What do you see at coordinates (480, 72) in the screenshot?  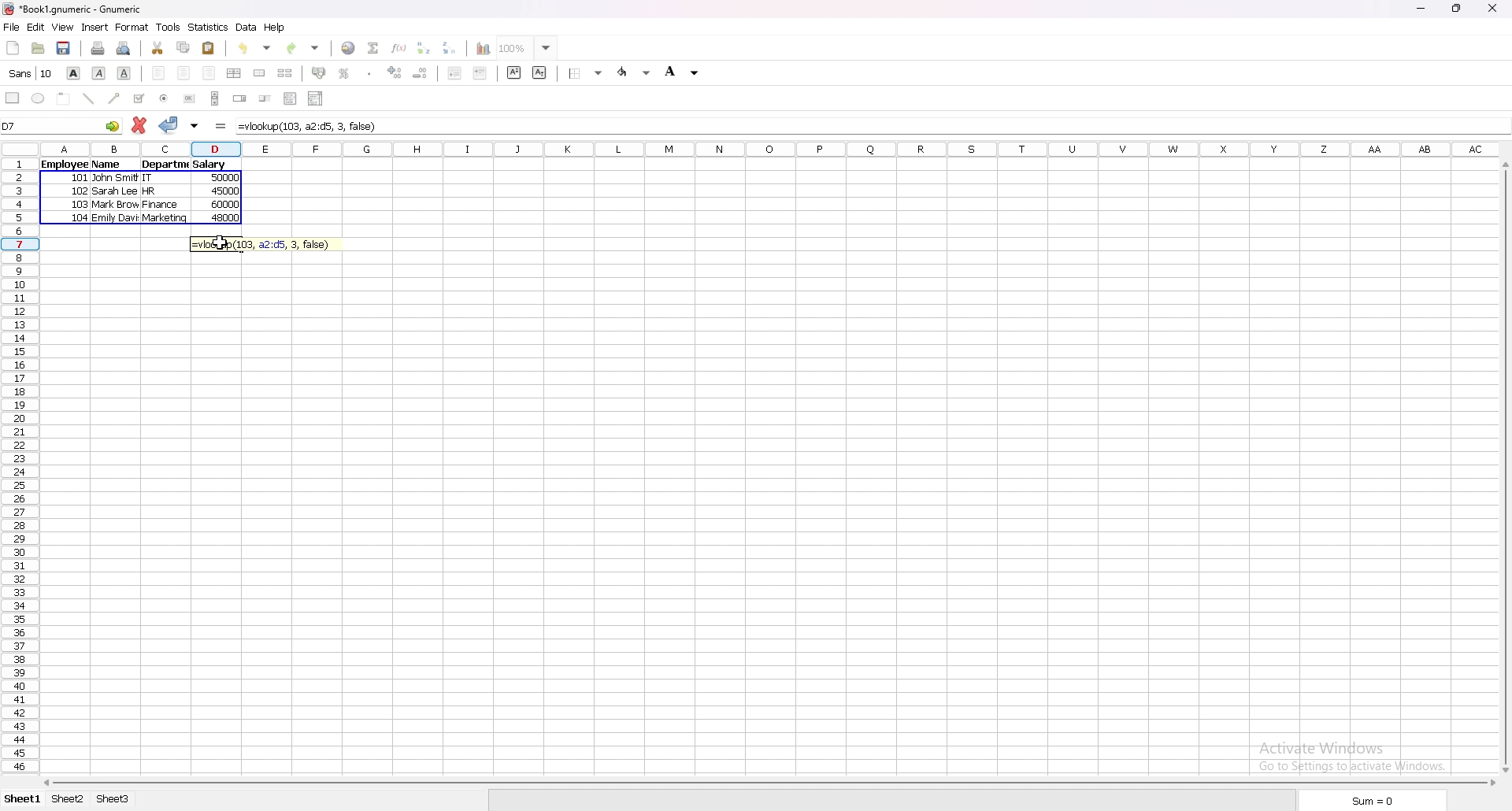 I see `increase indent` at bounding box center [480, 72].